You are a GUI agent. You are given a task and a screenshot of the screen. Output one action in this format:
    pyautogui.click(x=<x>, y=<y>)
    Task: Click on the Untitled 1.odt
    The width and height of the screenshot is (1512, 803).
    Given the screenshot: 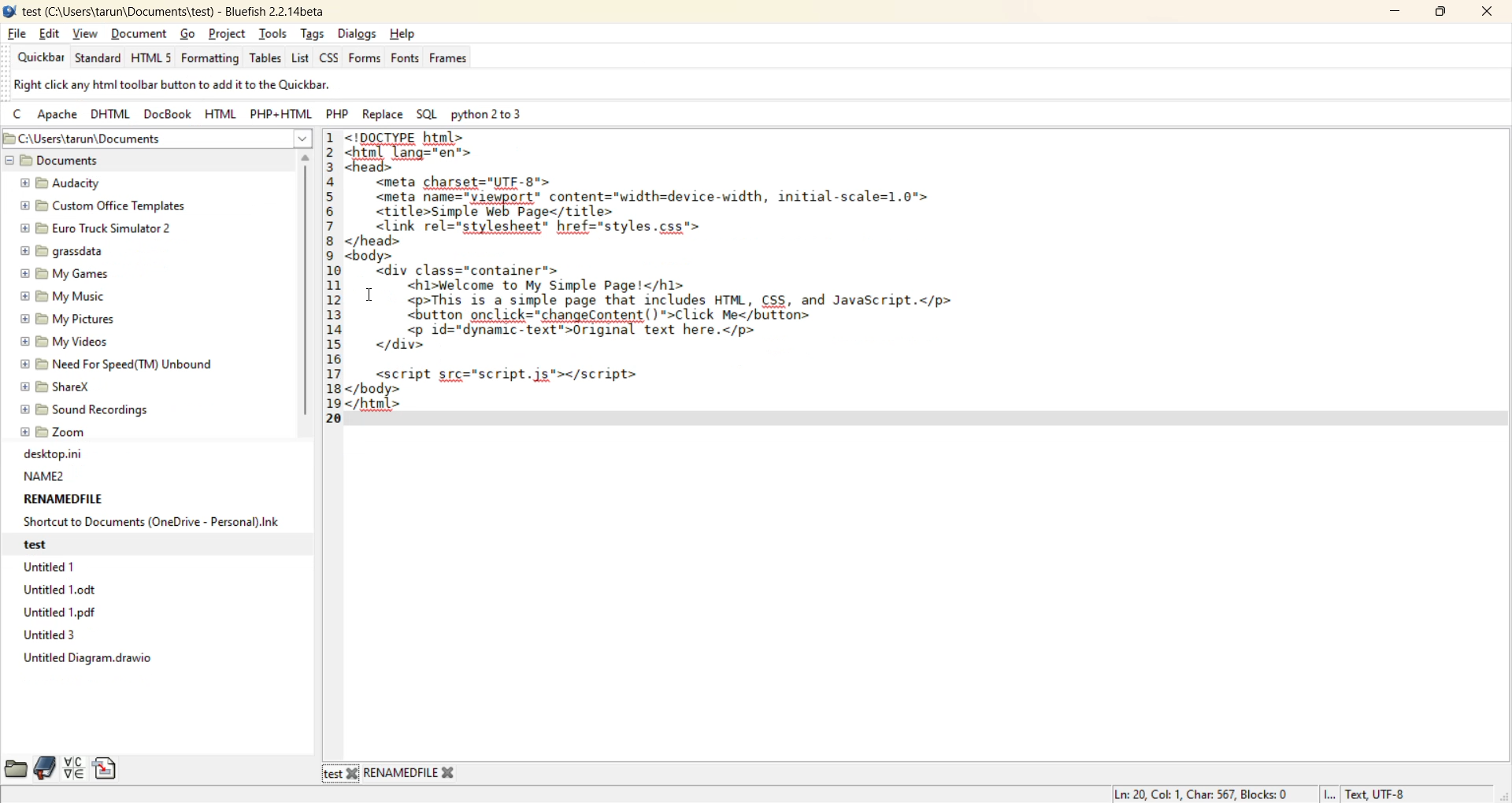 What is the action you would take?
    pyautogui.click(x=64, y=589)
    